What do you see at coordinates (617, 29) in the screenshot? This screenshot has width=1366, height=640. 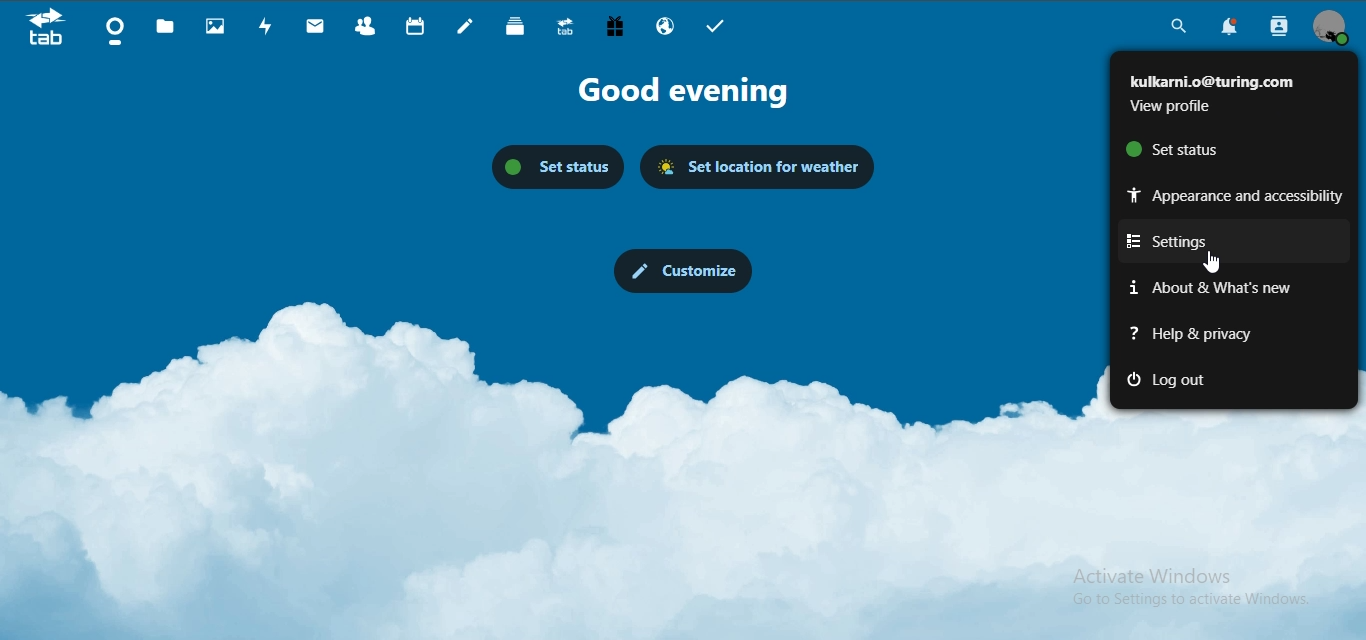 I see `free trial` at bounding box center [617, 29].